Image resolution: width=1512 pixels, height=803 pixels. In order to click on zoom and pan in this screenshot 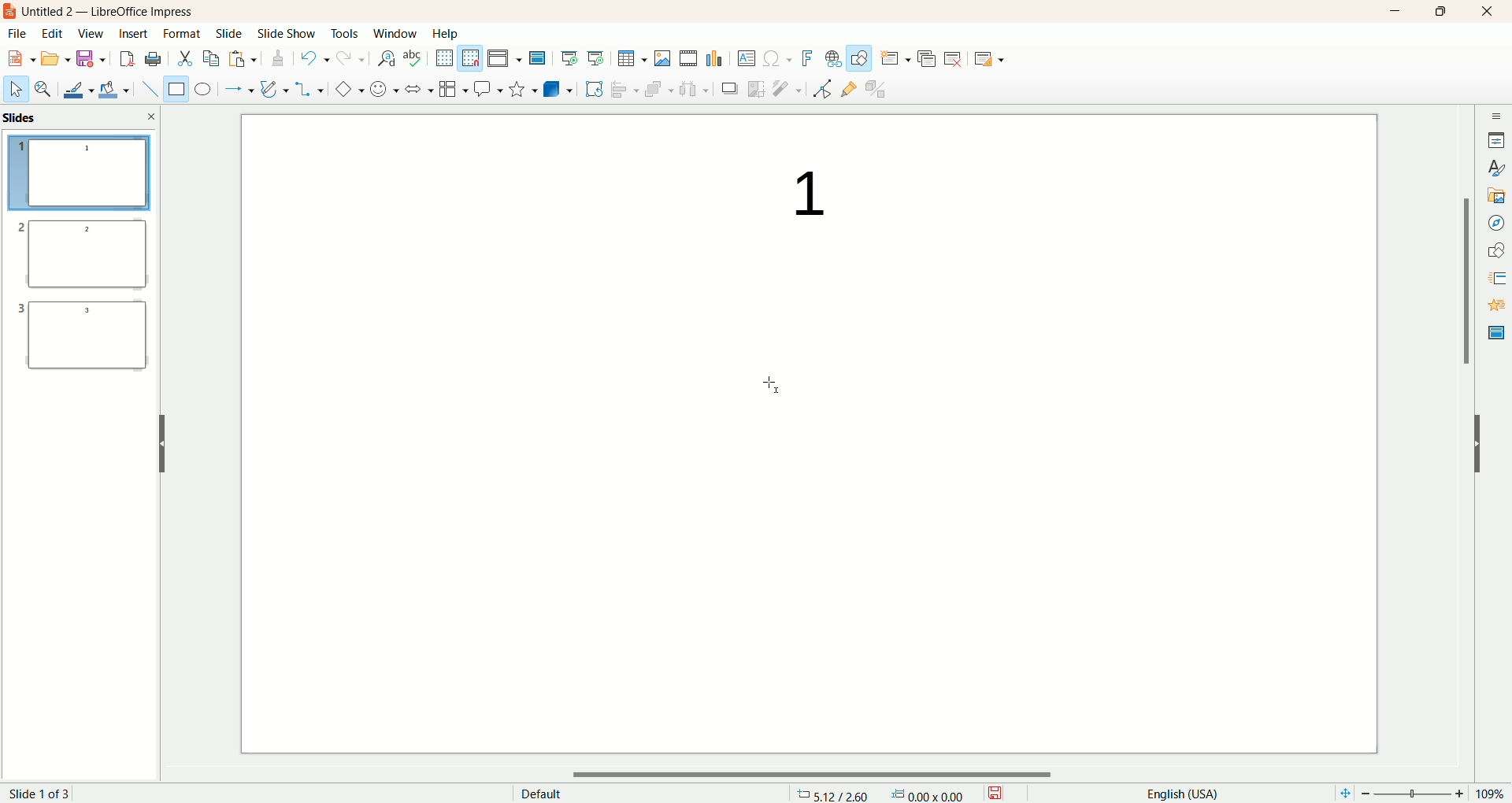, I will do `click(42, 90)`.